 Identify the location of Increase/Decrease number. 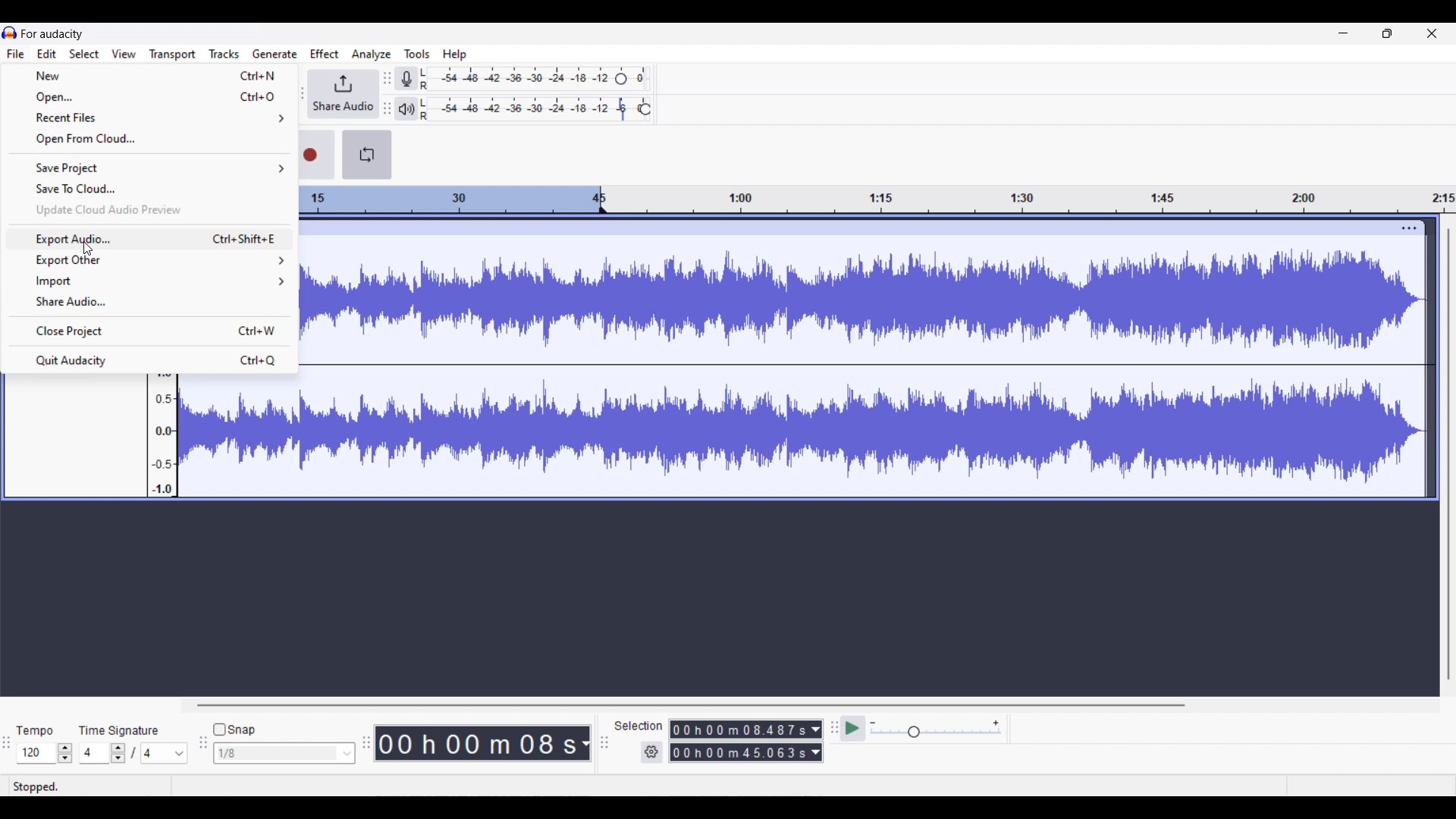
(118, 753).